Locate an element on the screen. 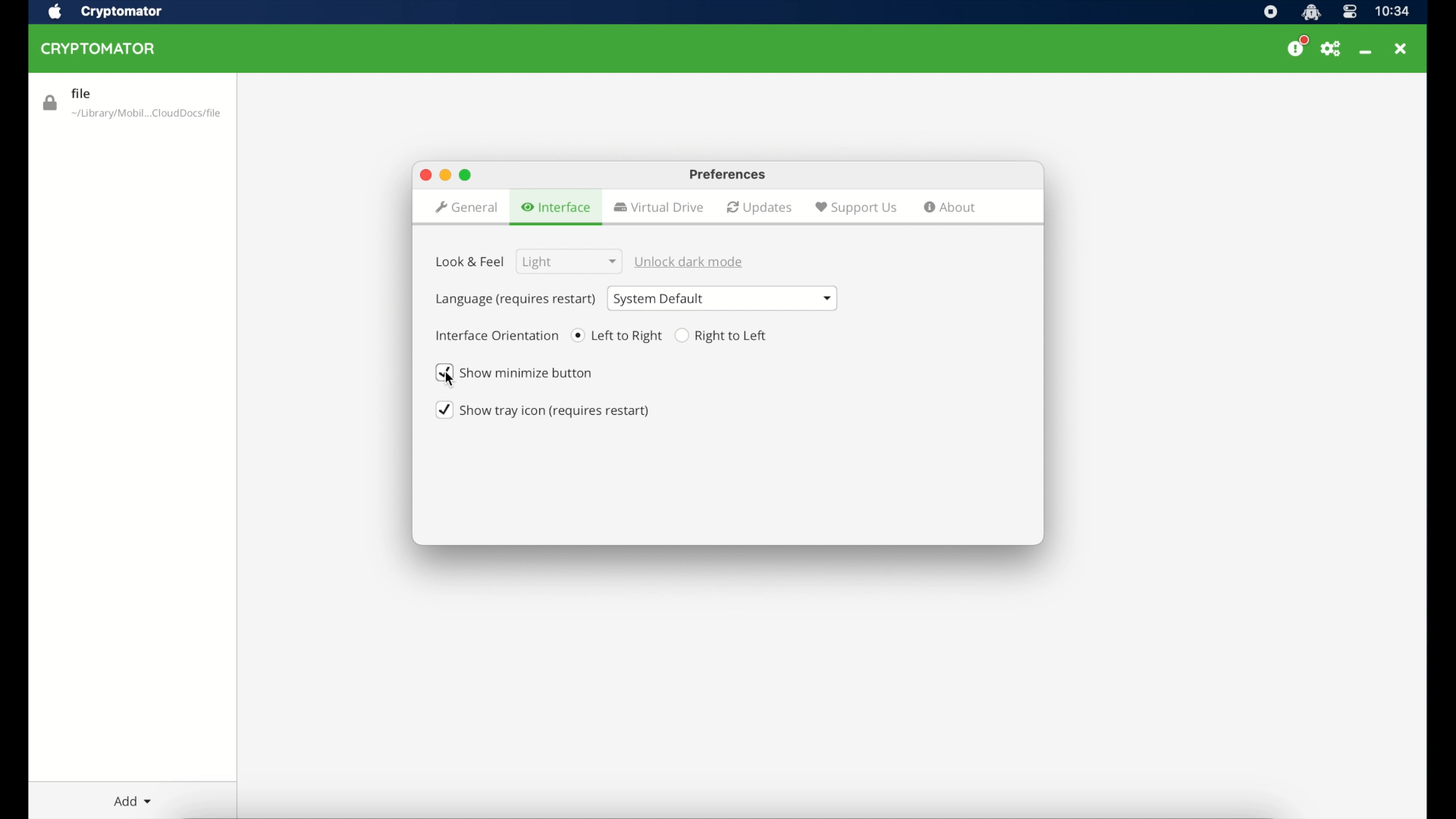 The width and height of the screenshot is (1456, 819). cryptomator is located at coordinates (122, 11).